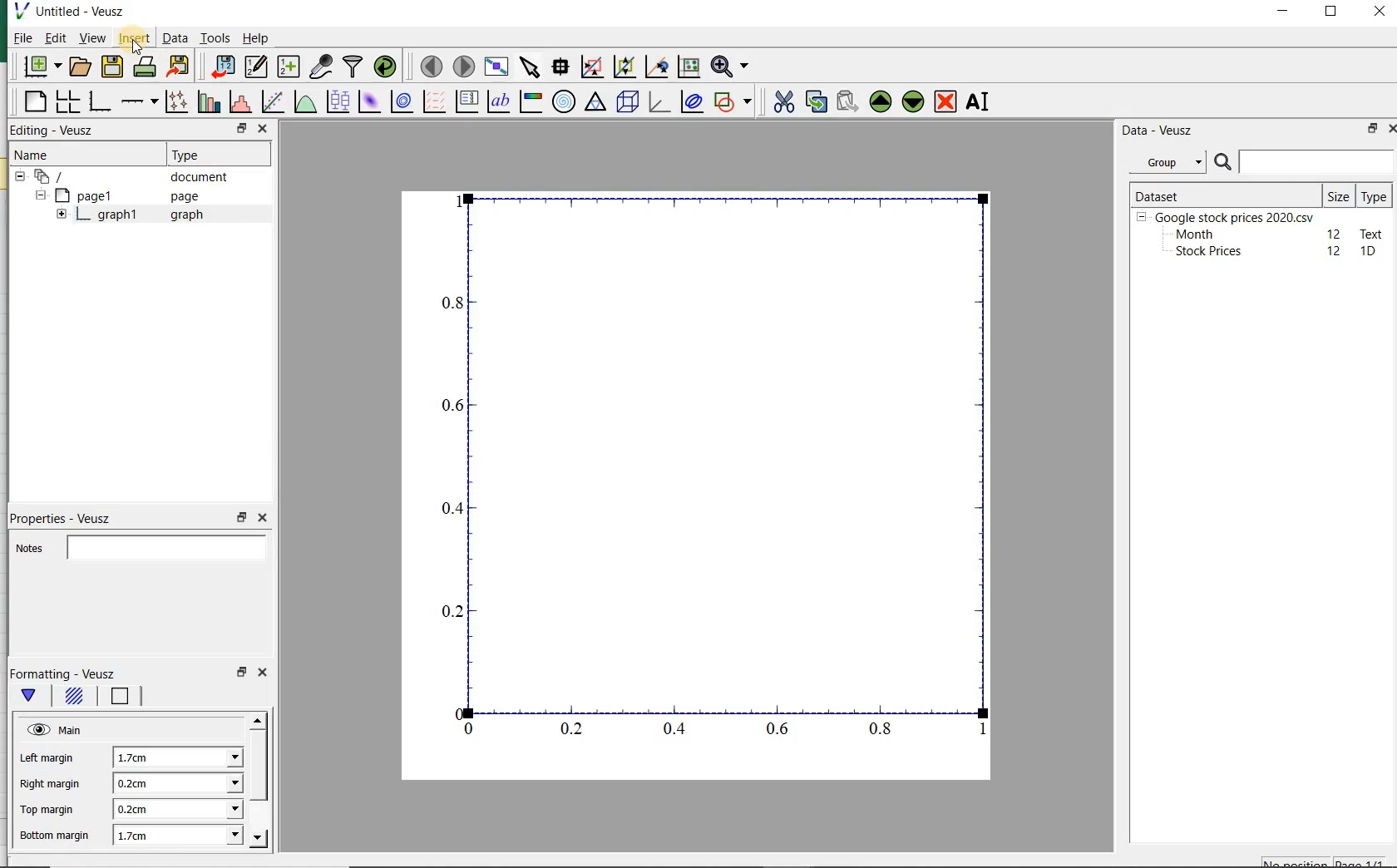 The image size is (1397, 868). I want to click on reload linked datasets, so click(388, 67).